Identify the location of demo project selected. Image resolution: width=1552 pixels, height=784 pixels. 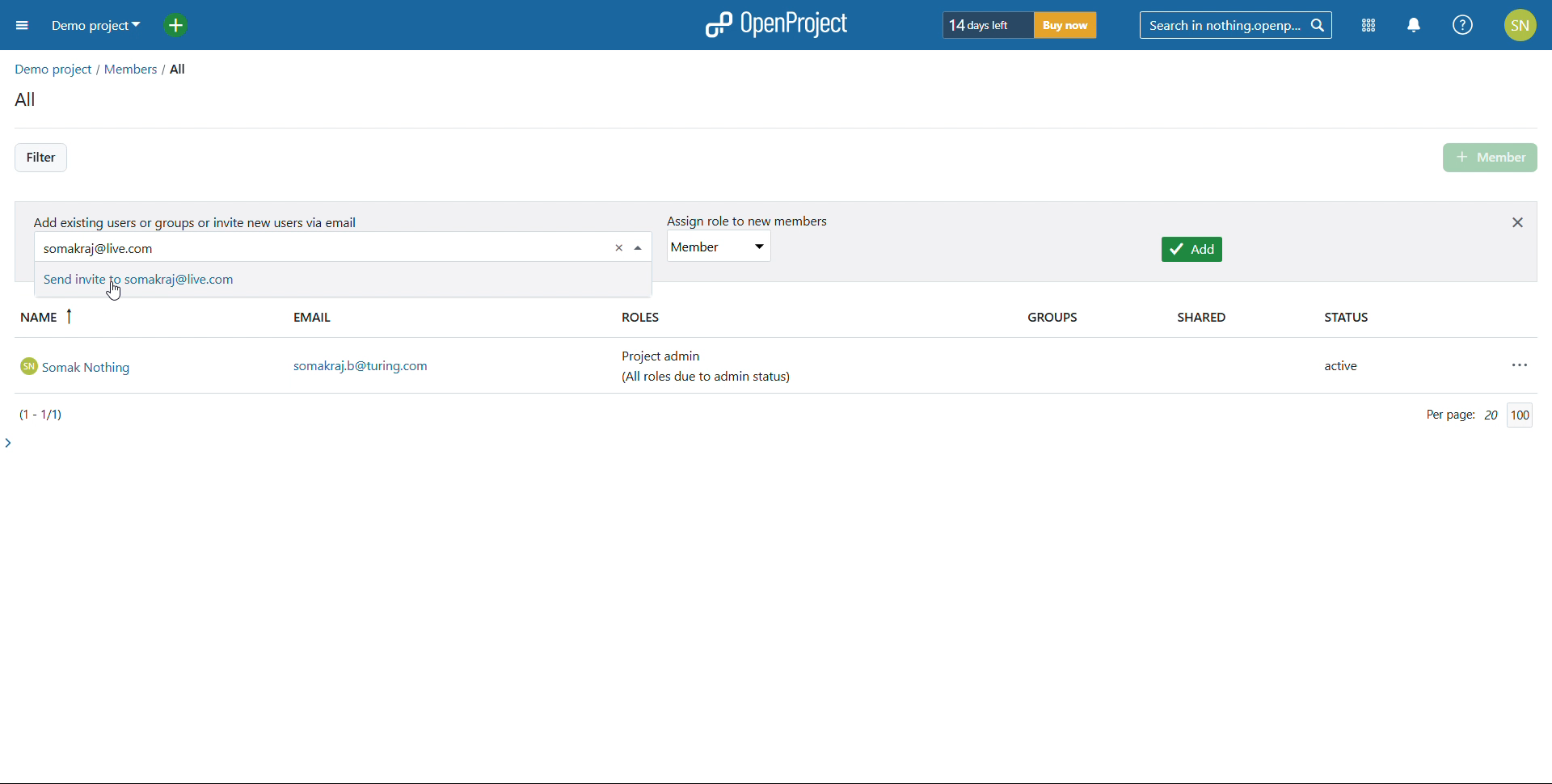
(91, 26).